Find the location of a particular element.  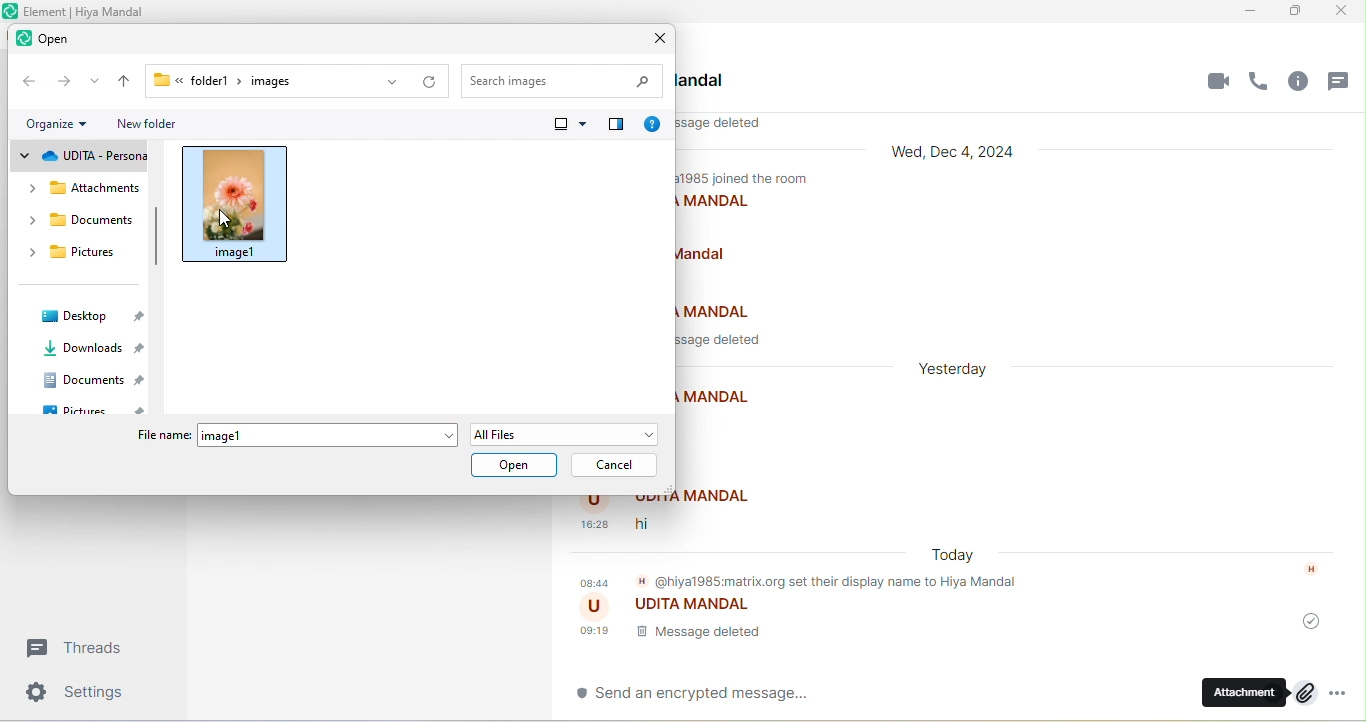

picture is located at coordinates (100, 412).